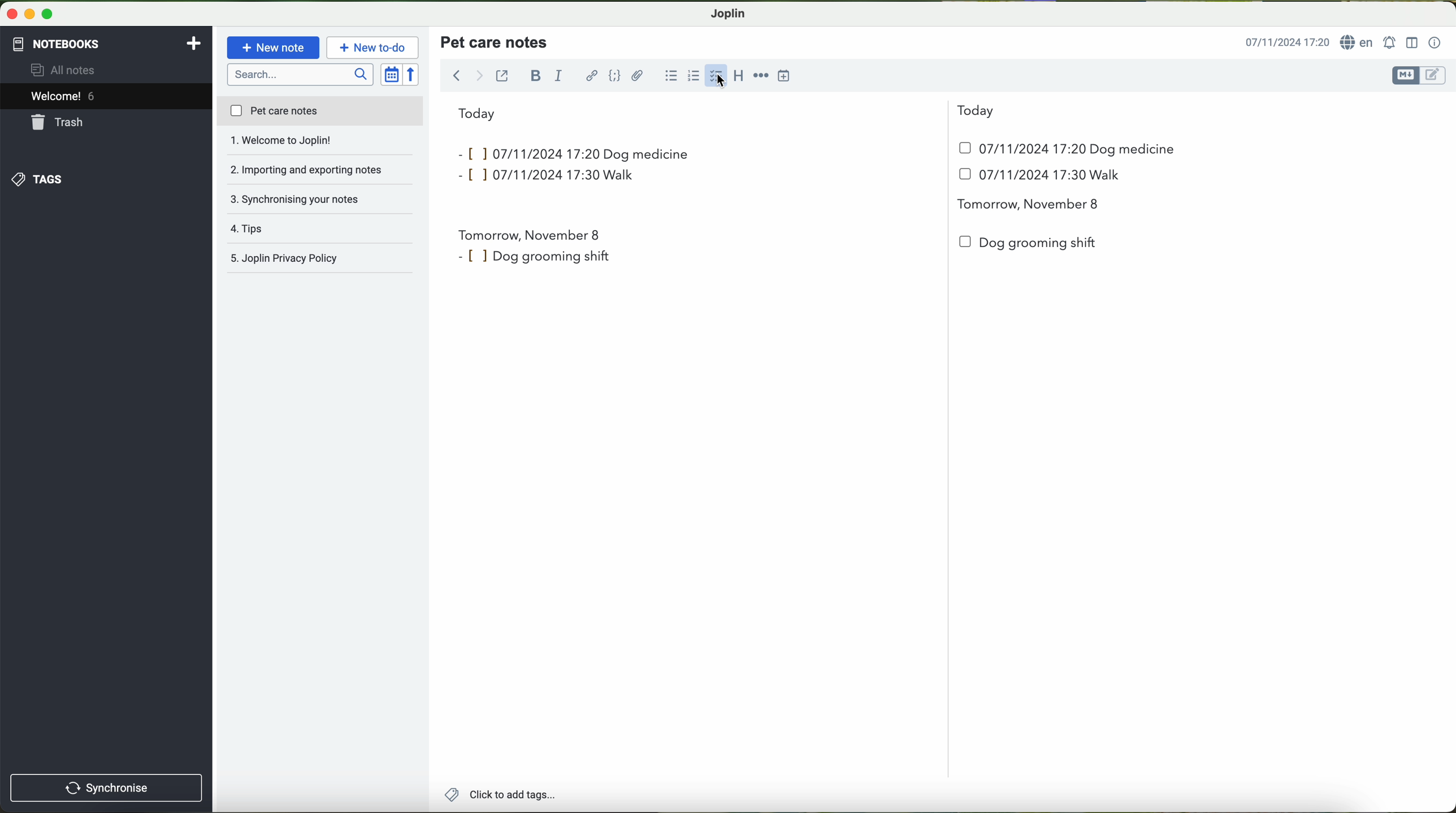 Image resolution: width=1456 pixels, height=813 pixels. I want to click on note properties, so click(1435, 43).